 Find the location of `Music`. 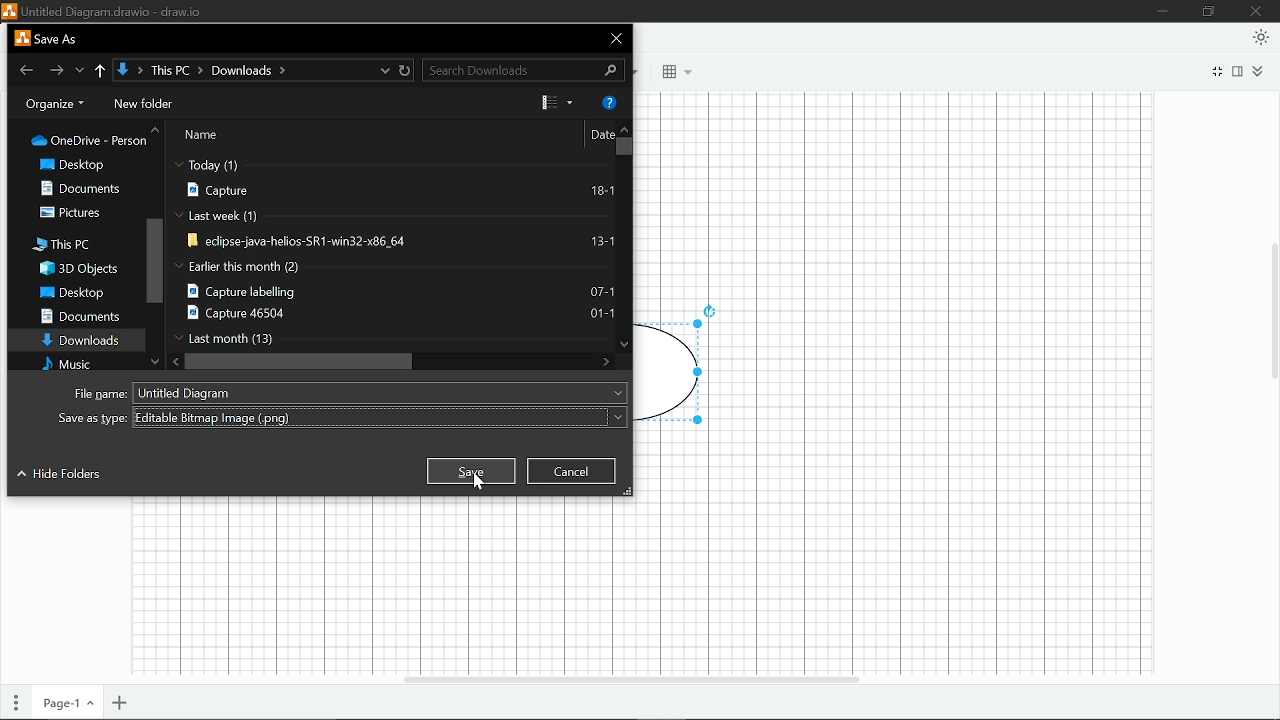

Music is located at coordinates (81, 365).